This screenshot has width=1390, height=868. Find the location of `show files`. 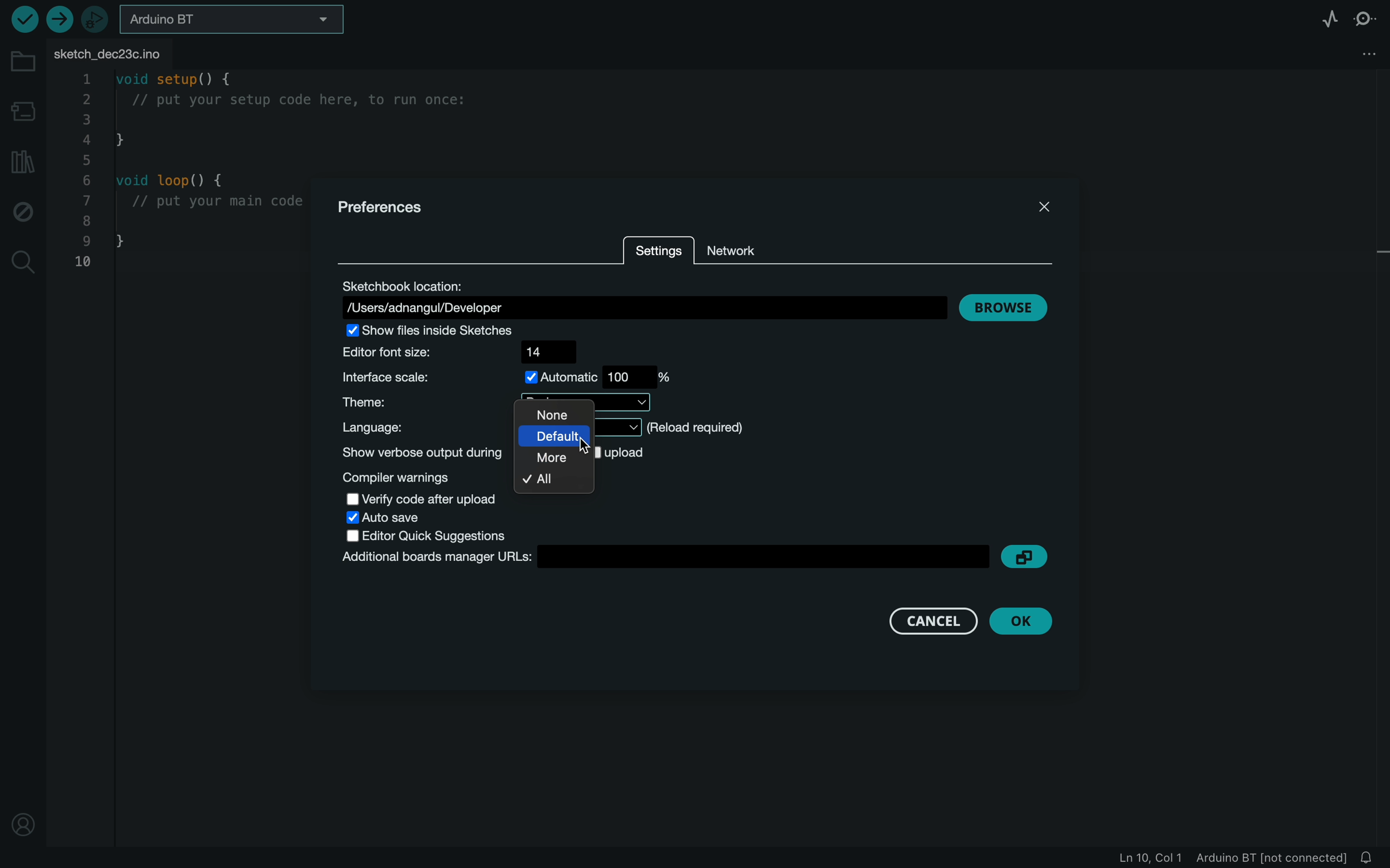

show files is located at coordinates (458, 333).